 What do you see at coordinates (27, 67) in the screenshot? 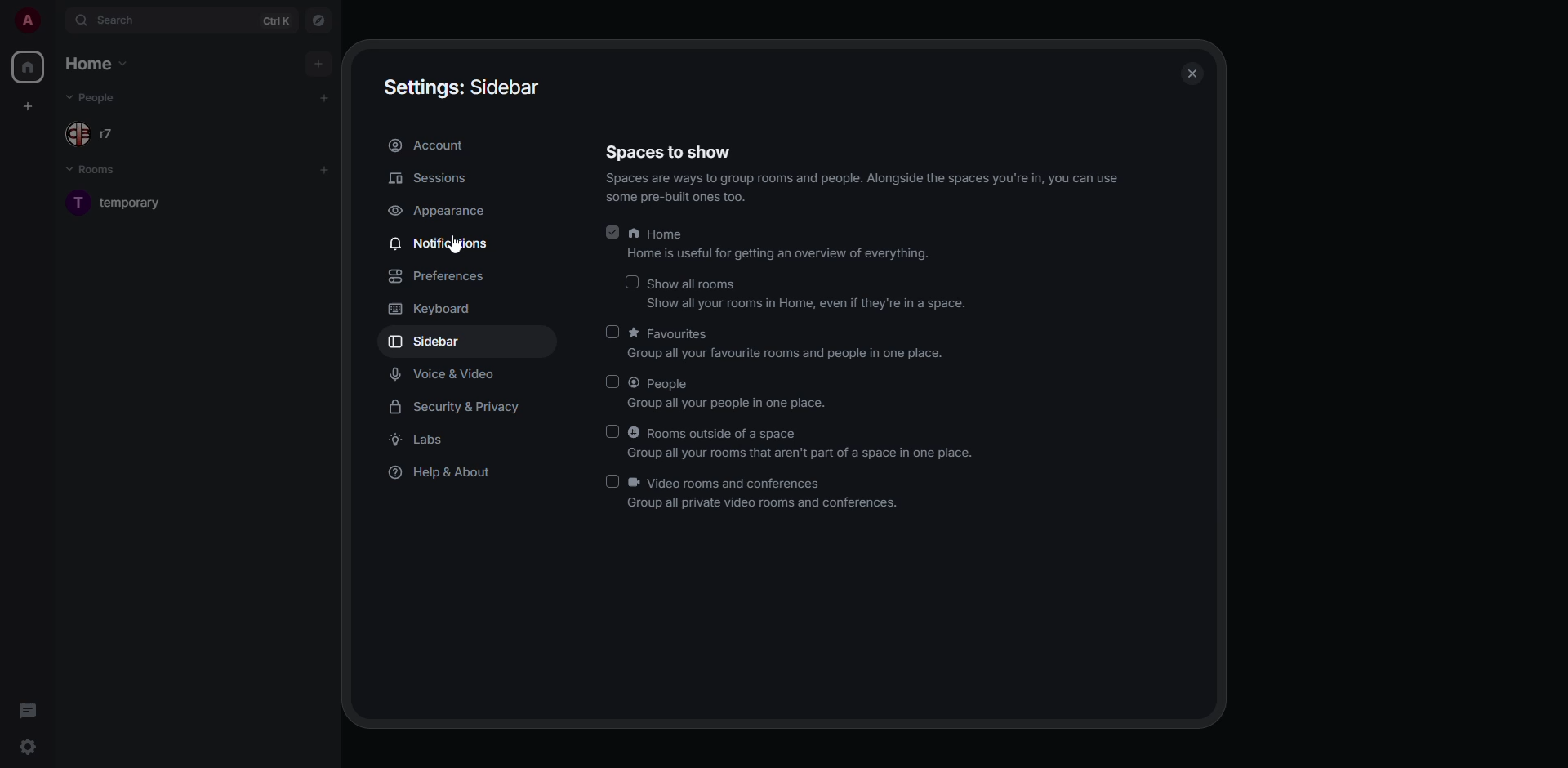
I see `home` at bounding box center [27, 67].